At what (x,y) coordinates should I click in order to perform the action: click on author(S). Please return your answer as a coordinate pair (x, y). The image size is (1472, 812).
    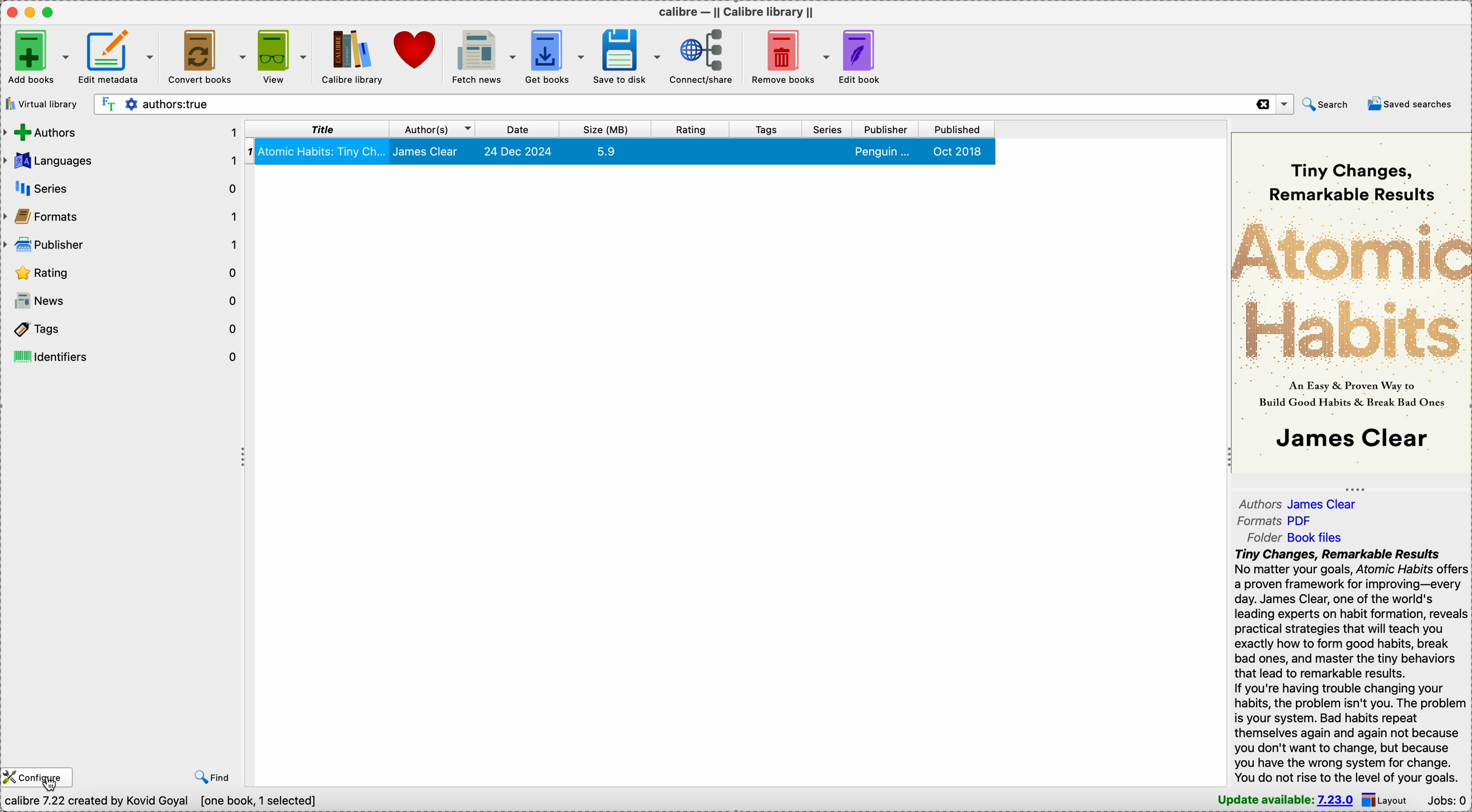
    Looking at the image, I should click on (434, 129).